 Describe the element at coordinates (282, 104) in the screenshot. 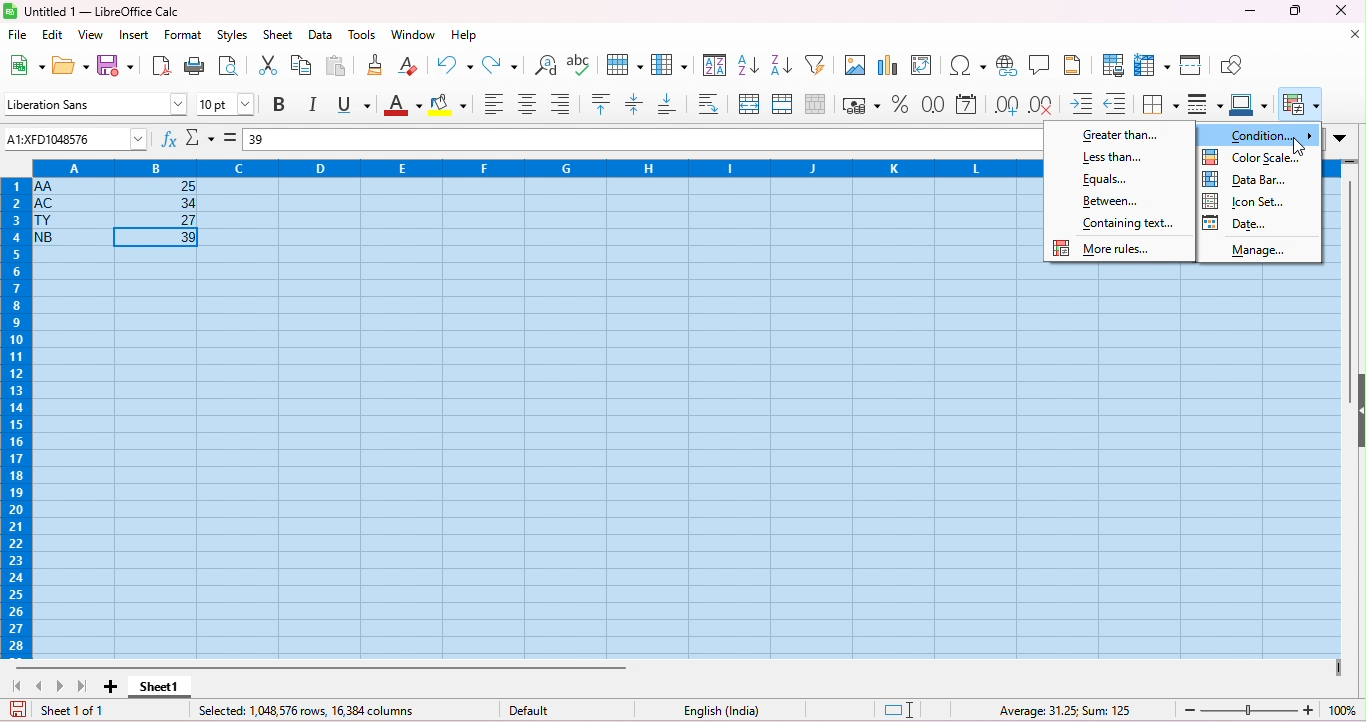

I see `bold` at that location.